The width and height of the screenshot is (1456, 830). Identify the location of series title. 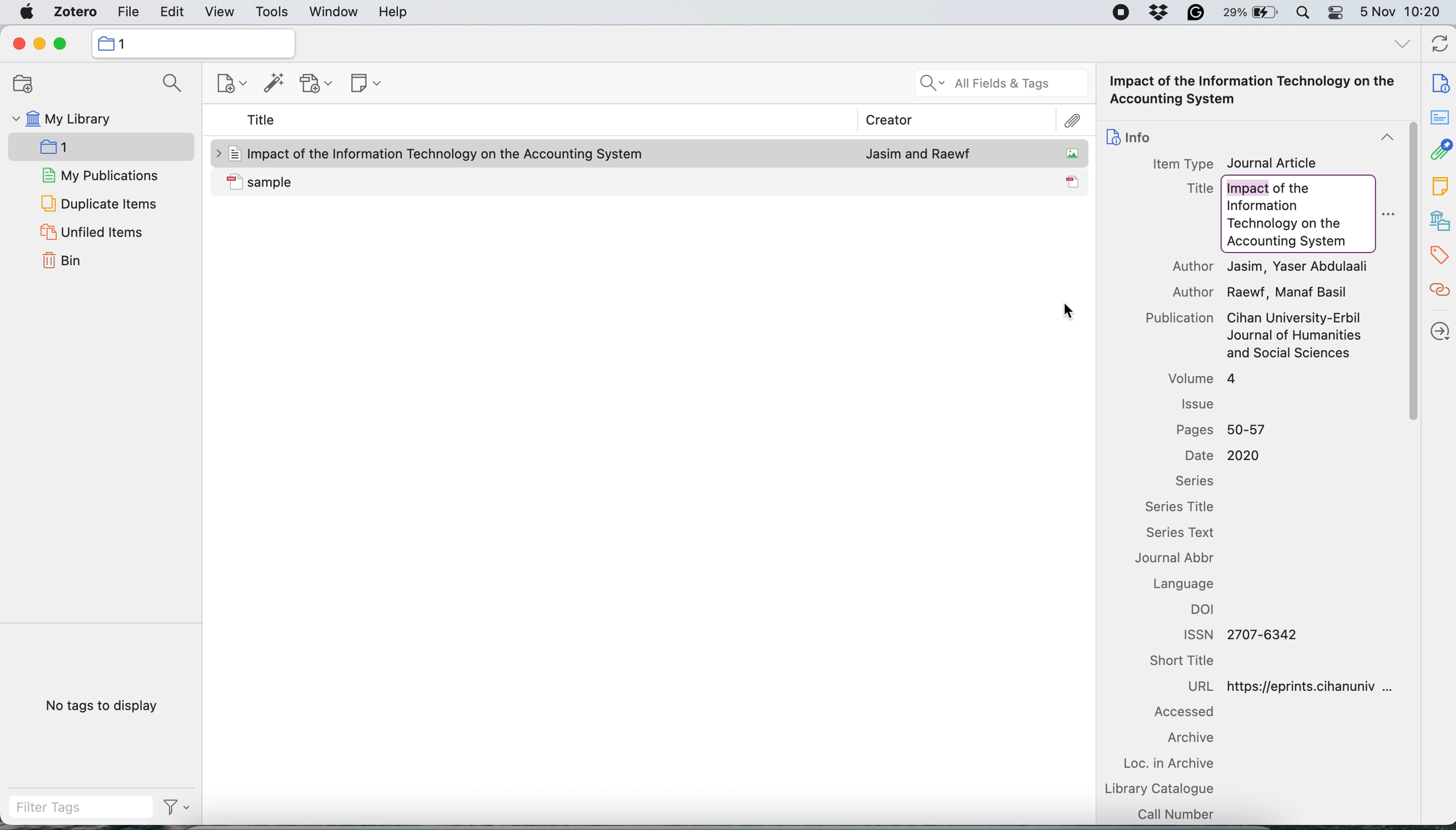
(1183, 508).